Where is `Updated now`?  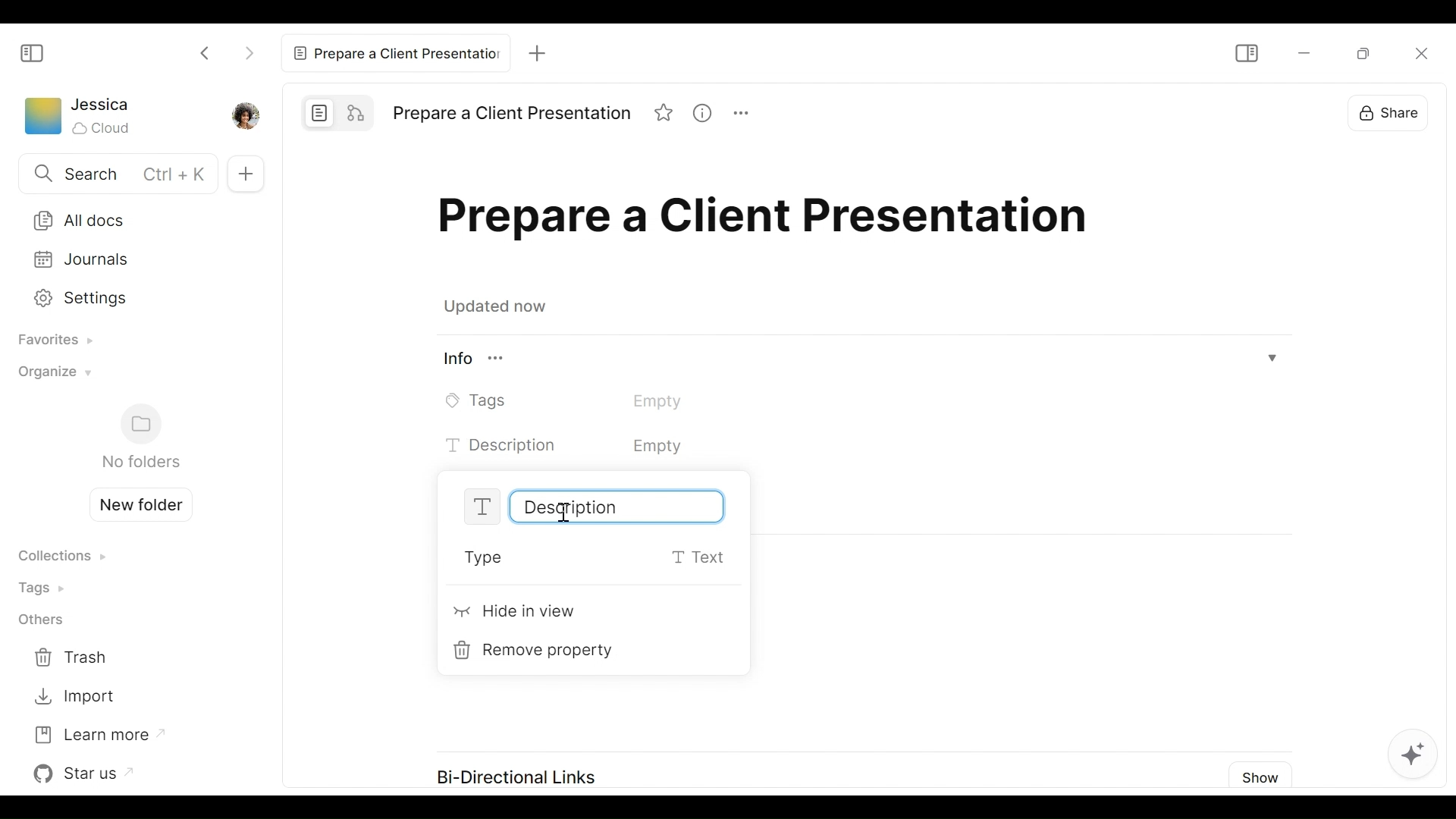
Updated now is located at coordinates (499, 309).